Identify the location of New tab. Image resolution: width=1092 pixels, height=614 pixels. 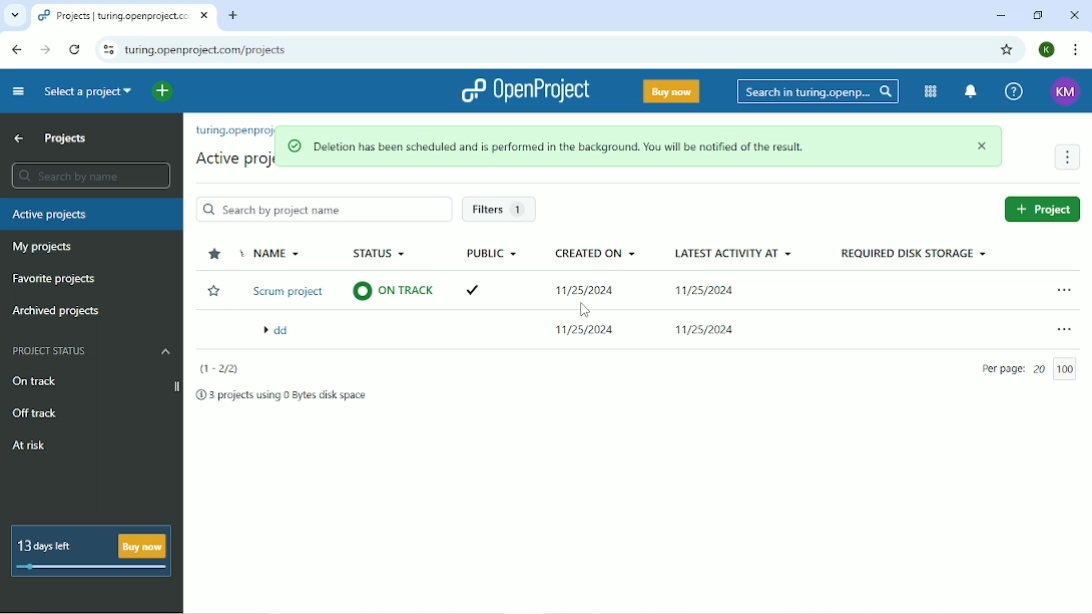
(235, 16).